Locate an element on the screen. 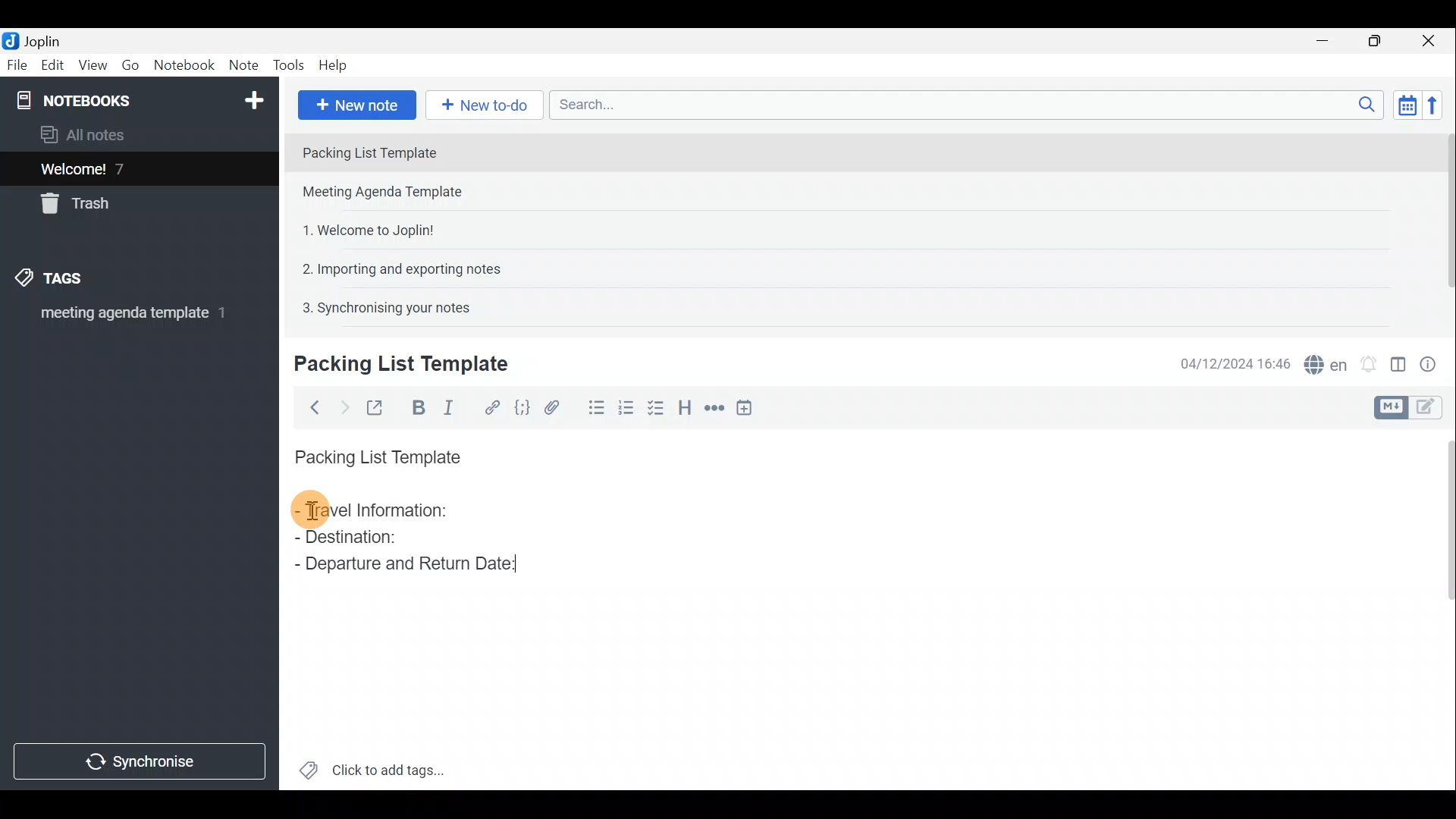 This screenshot has width=1456, height=819. New note is located at coordinates (356, 103).